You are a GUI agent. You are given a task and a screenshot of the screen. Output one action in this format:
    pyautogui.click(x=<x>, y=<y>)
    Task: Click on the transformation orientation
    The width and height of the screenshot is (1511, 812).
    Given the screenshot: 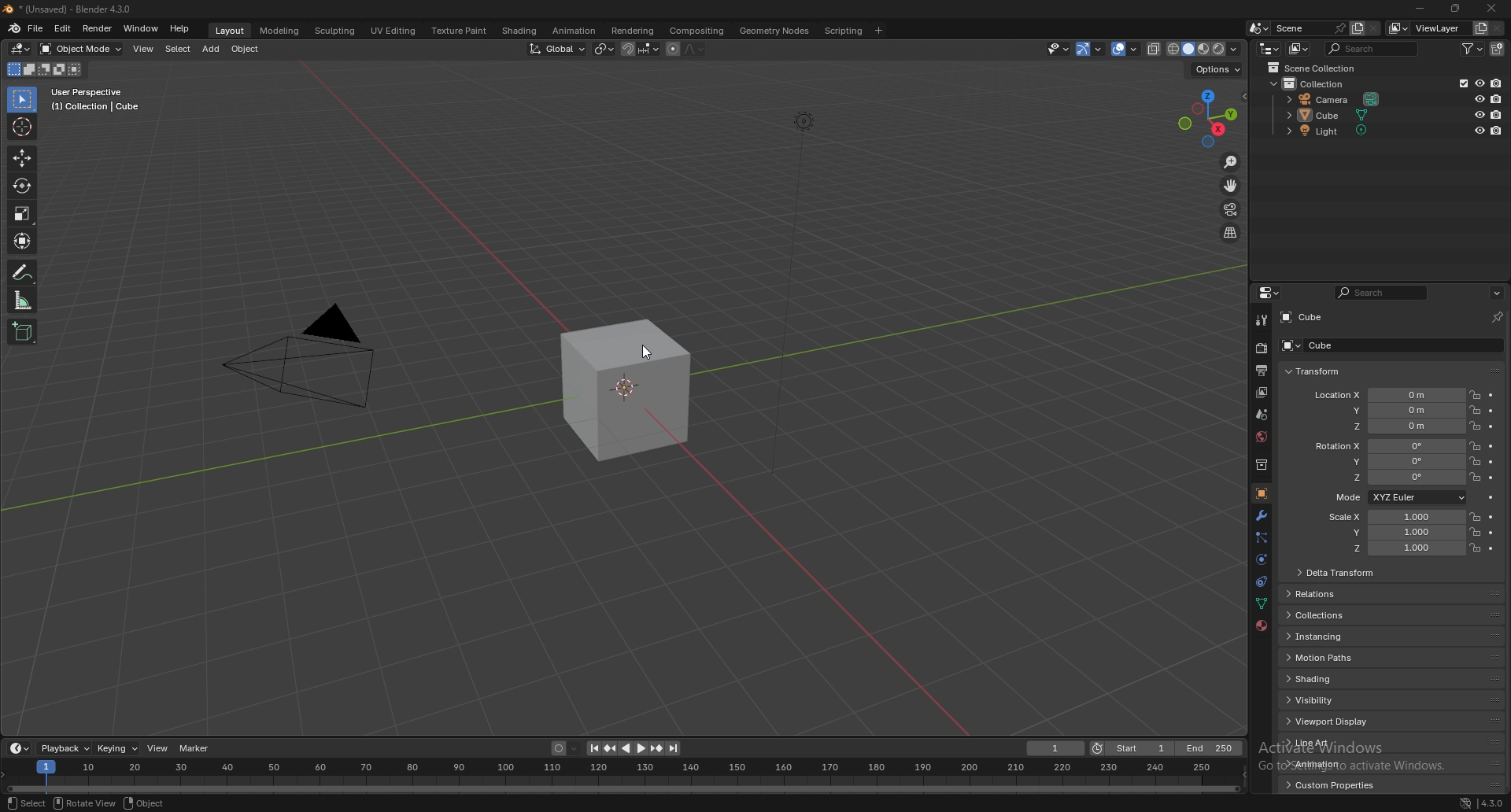 What is the action you would take?
    pyautogui.click(x=560, y=50)
    